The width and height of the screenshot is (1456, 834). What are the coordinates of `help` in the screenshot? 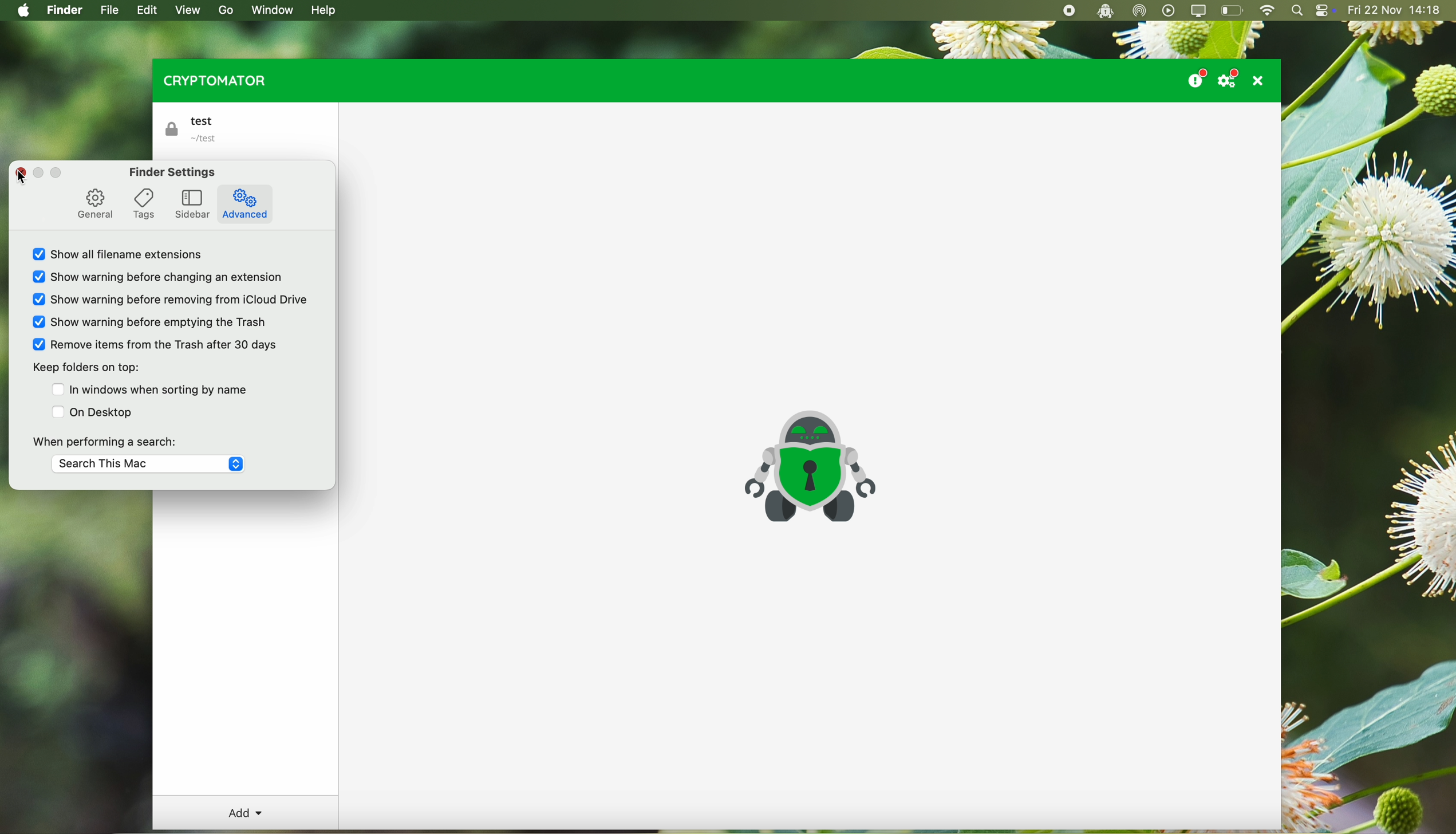 It's located at (326, 11).